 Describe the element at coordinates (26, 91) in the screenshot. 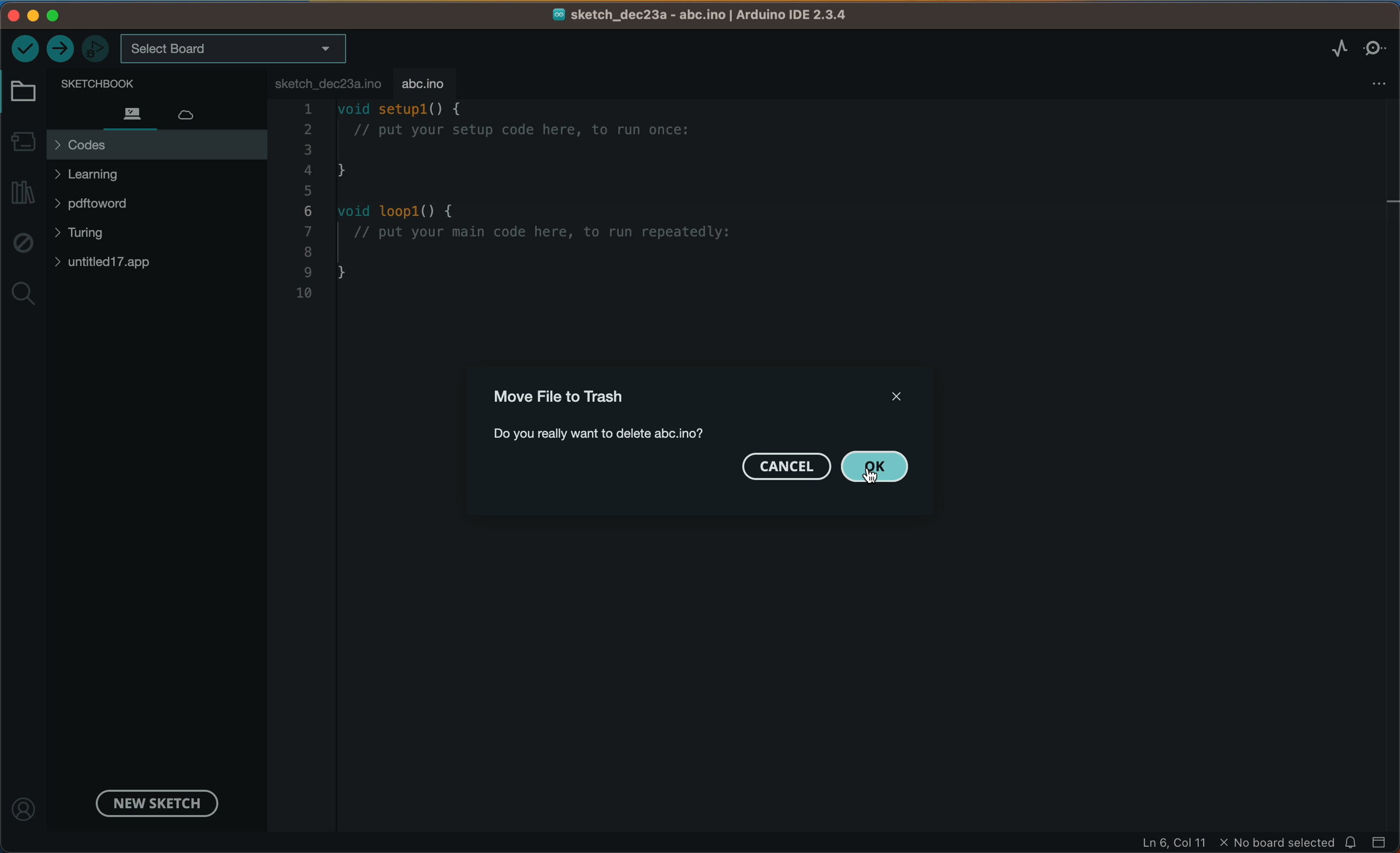

I see `folder` at that location.